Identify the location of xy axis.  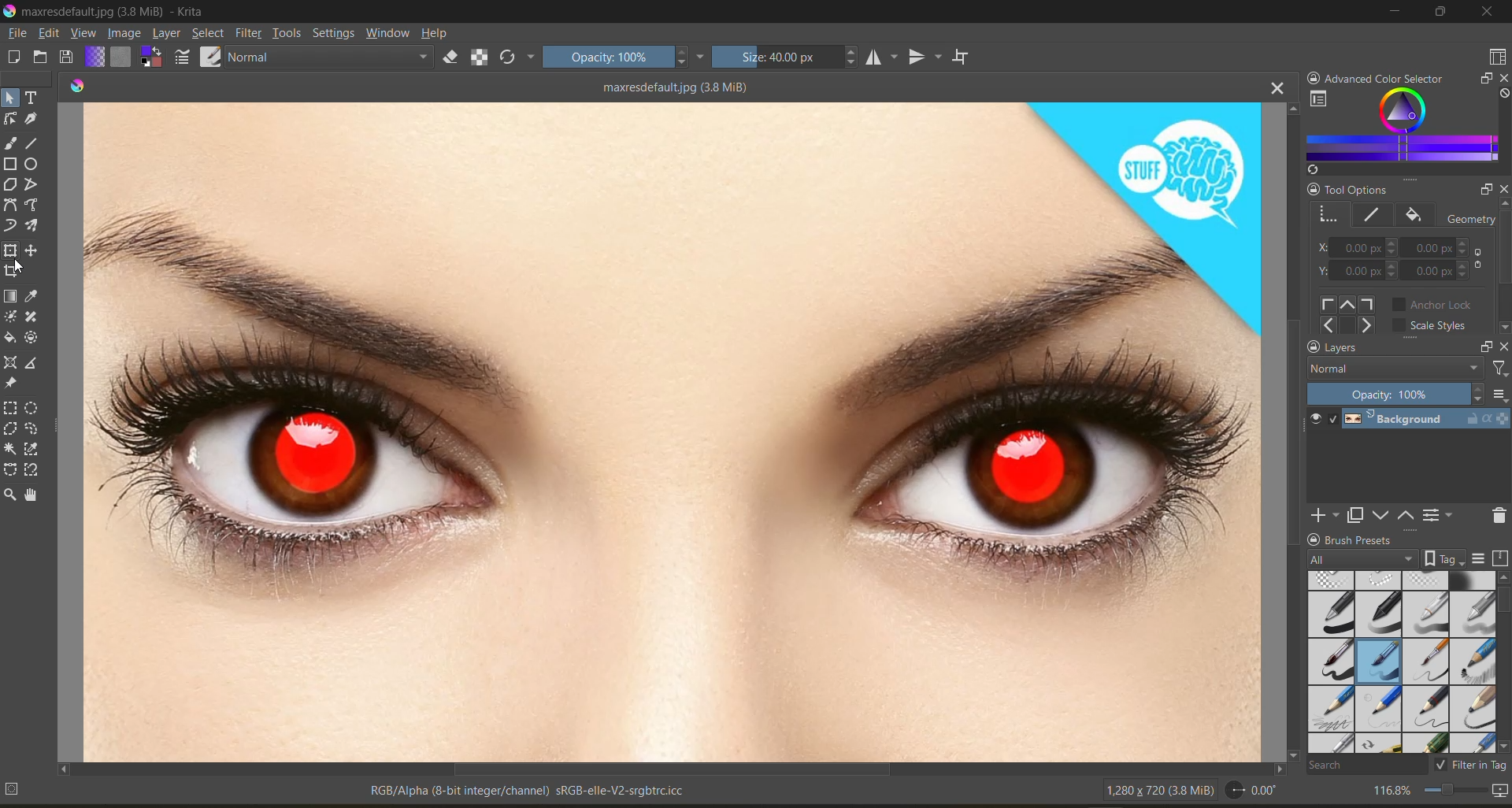
(1443, 248).